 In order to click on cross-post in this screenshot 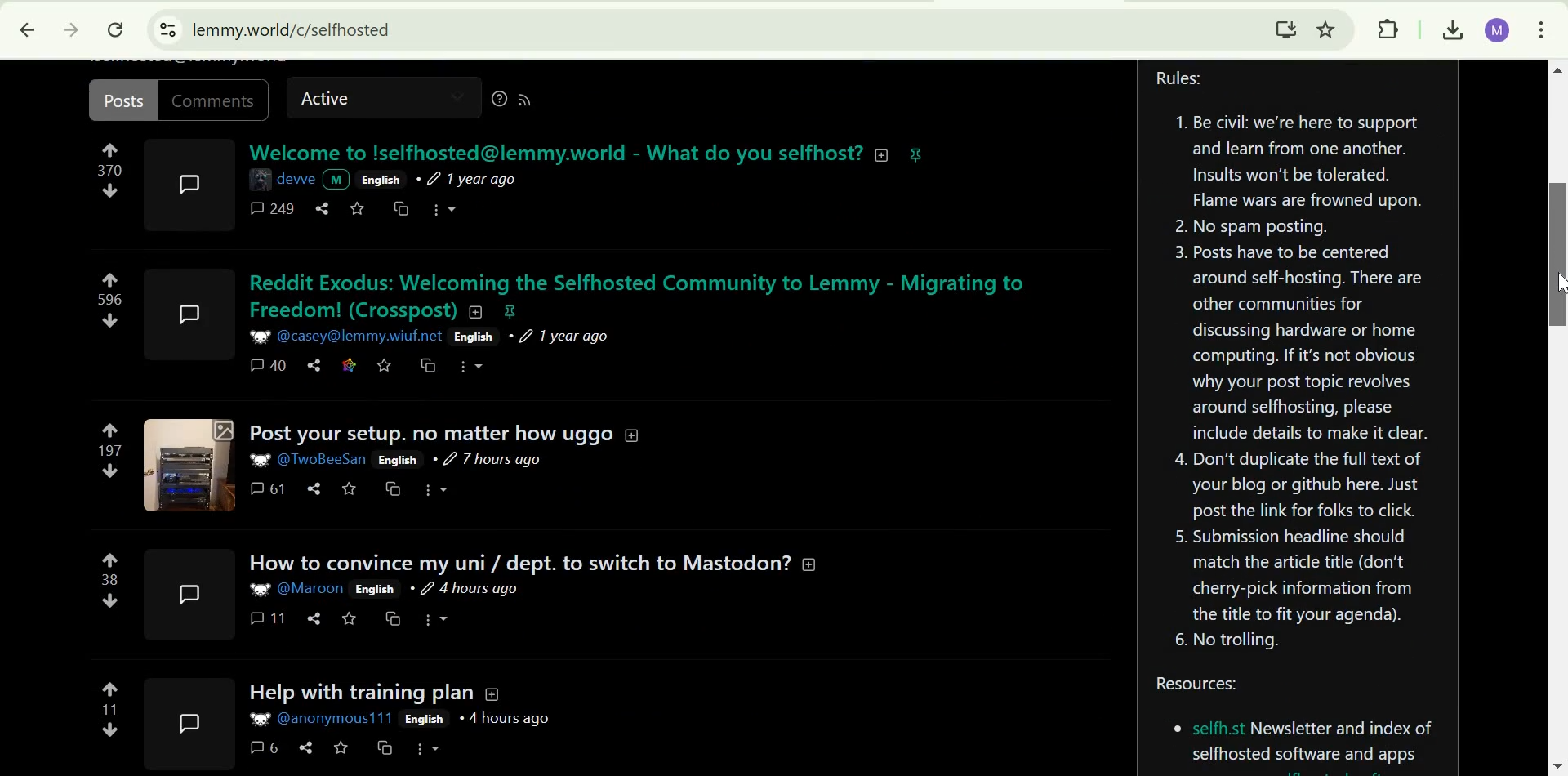, I will do `click(393, 618)`.